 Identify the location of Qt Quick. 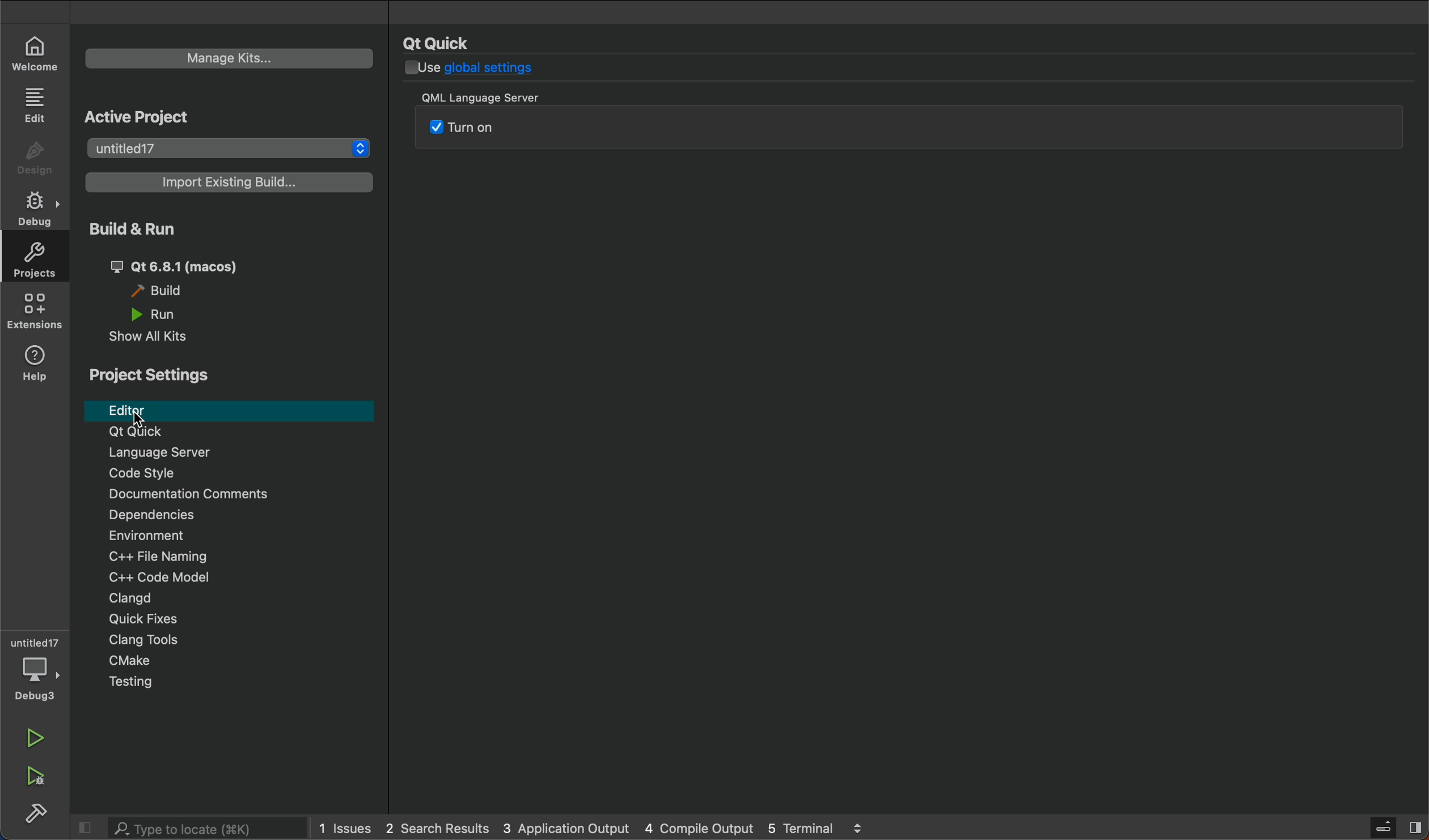
(449, 40).